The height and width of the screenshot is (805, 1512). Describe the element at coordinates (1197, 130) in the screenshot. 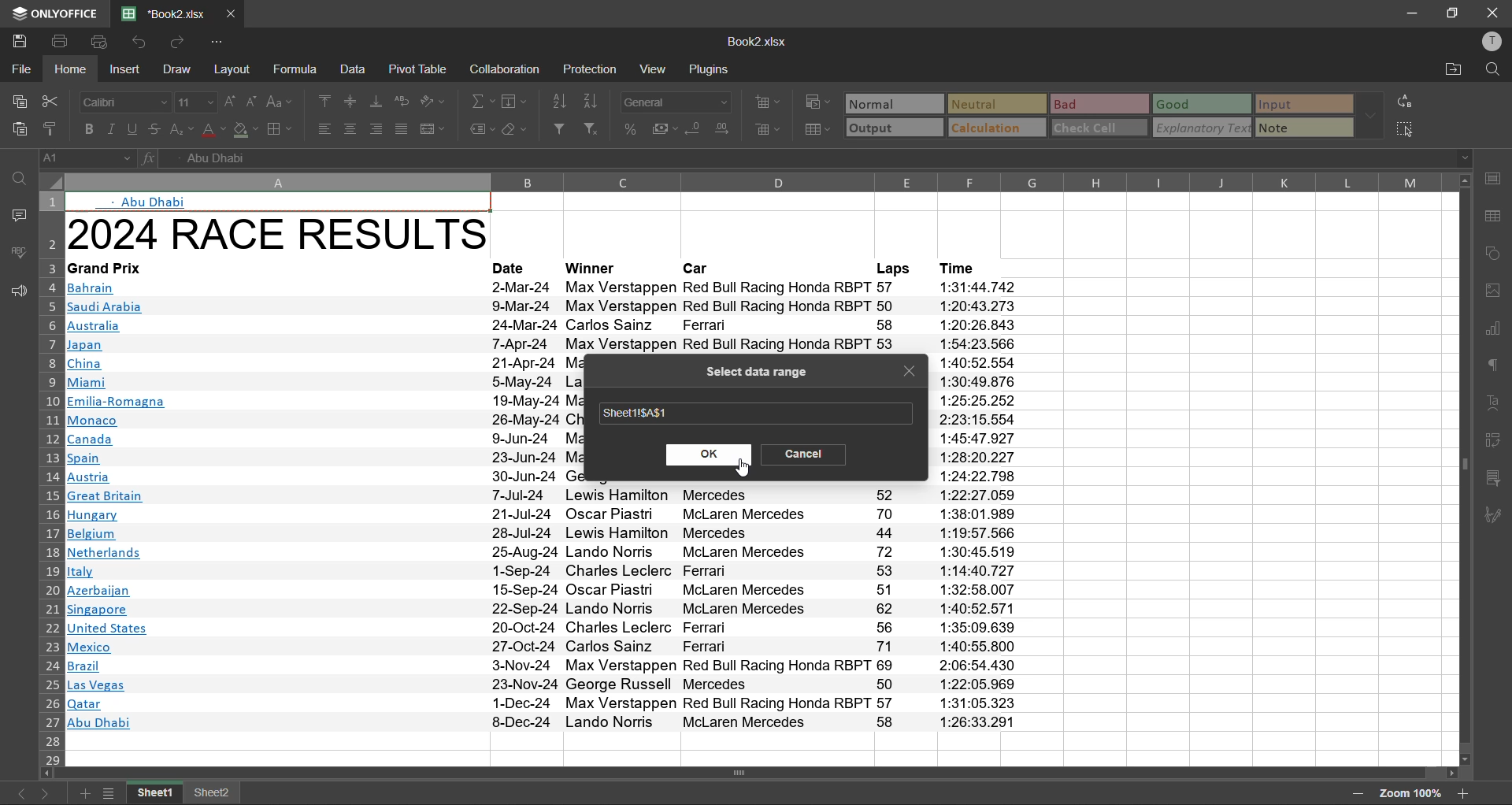

I see `explanatory text` at that location.